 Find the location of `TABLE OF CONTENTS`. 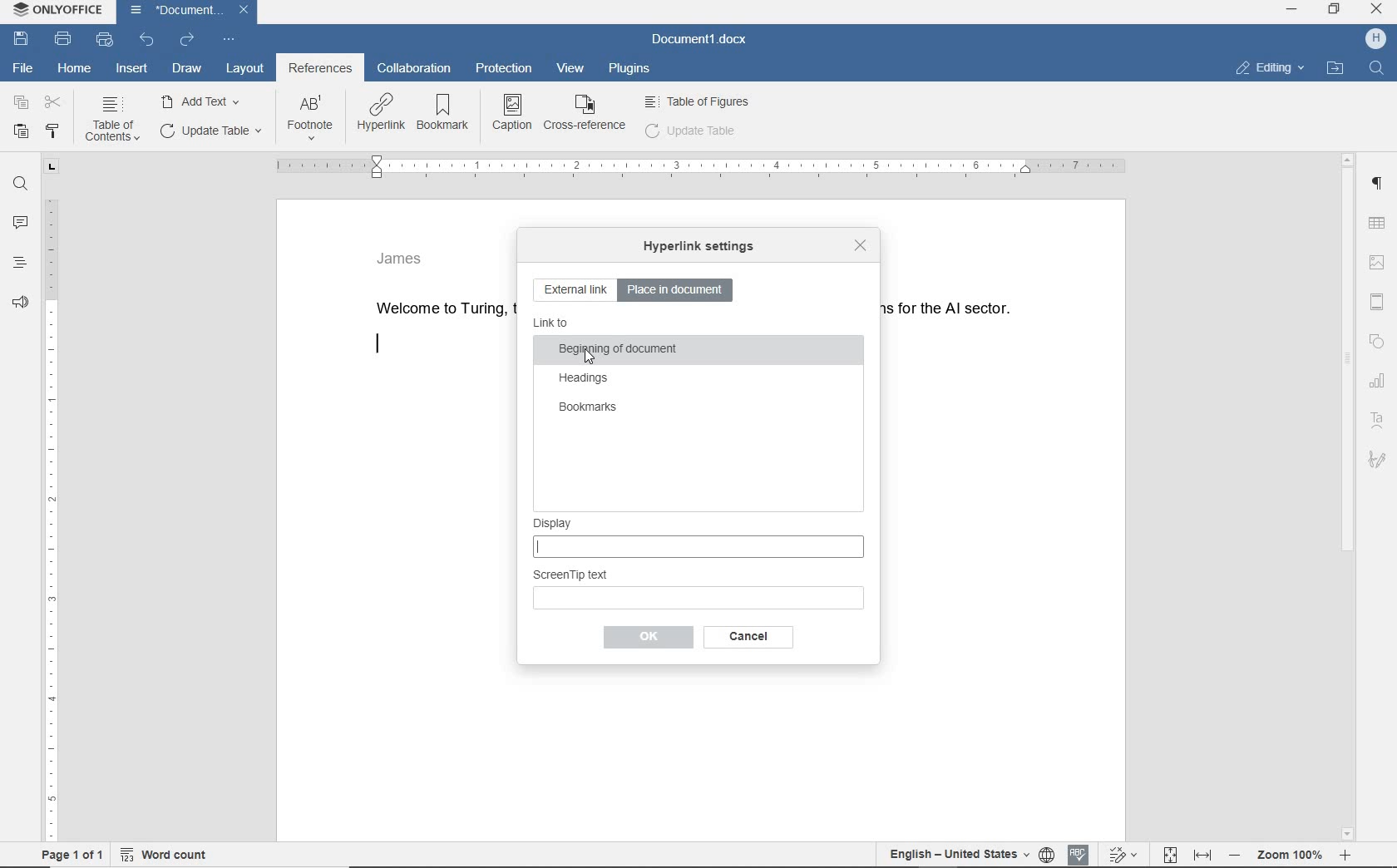

TABLE OF CONTENTS is located at coordinates (116, 120).